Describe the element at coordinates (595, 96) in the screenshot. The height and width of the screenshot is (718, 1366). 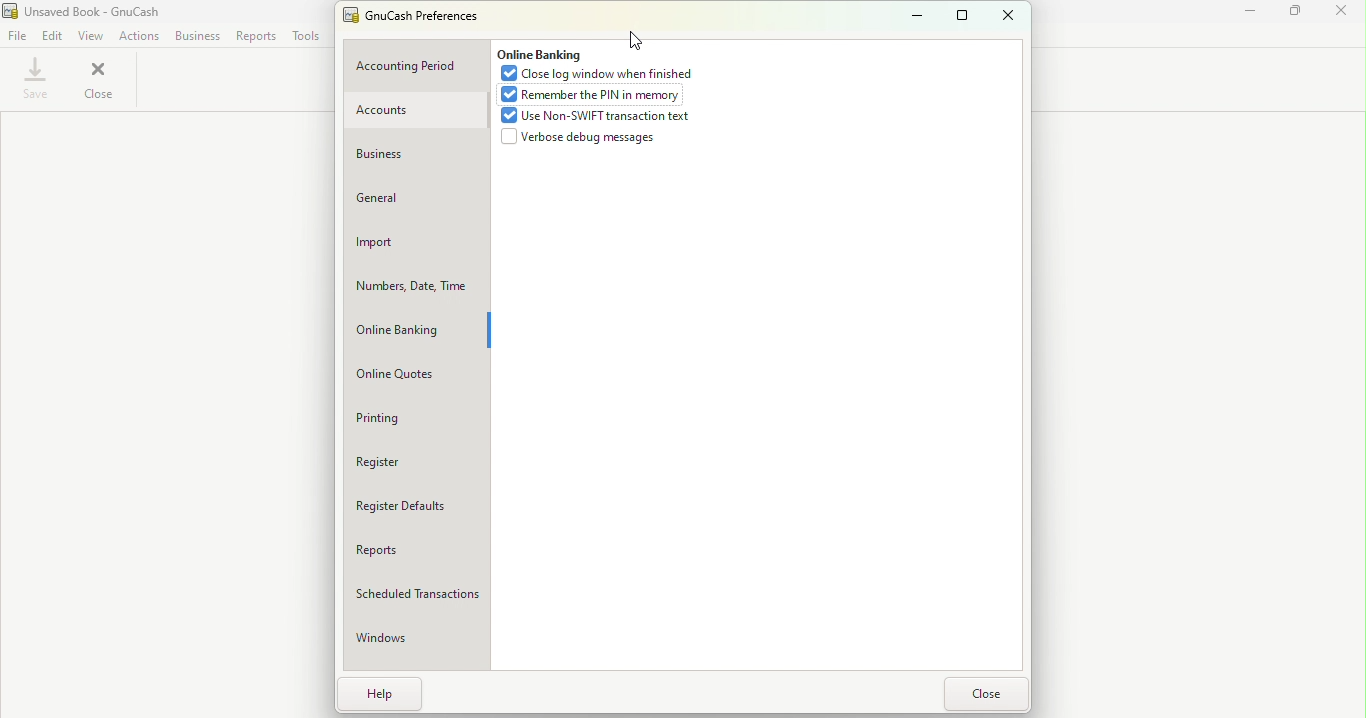
I see `Remember the PIN in memory` at that location.